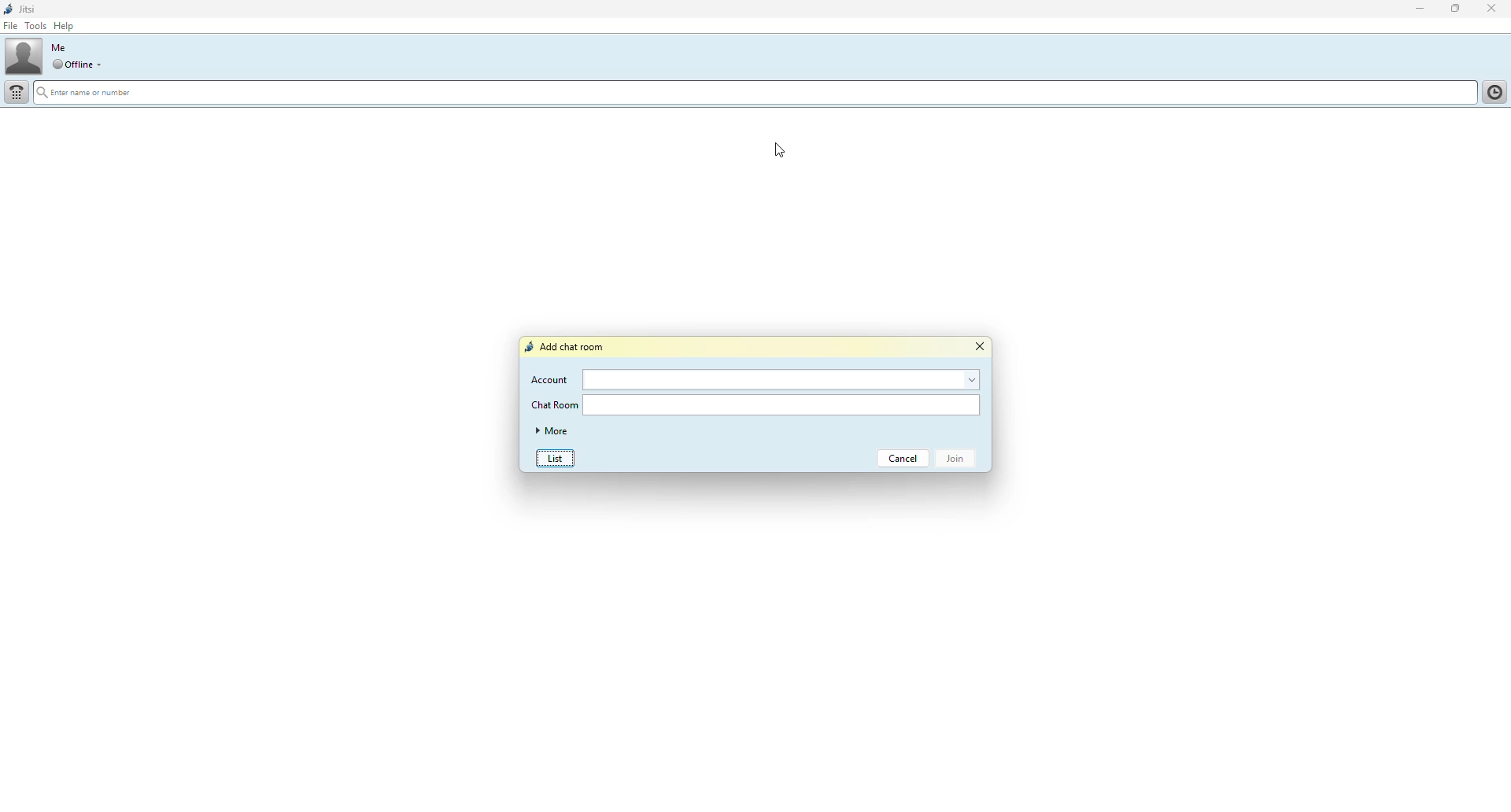 This screenshot has height=812, width=1511. I want to click on close, so click(982, 349).